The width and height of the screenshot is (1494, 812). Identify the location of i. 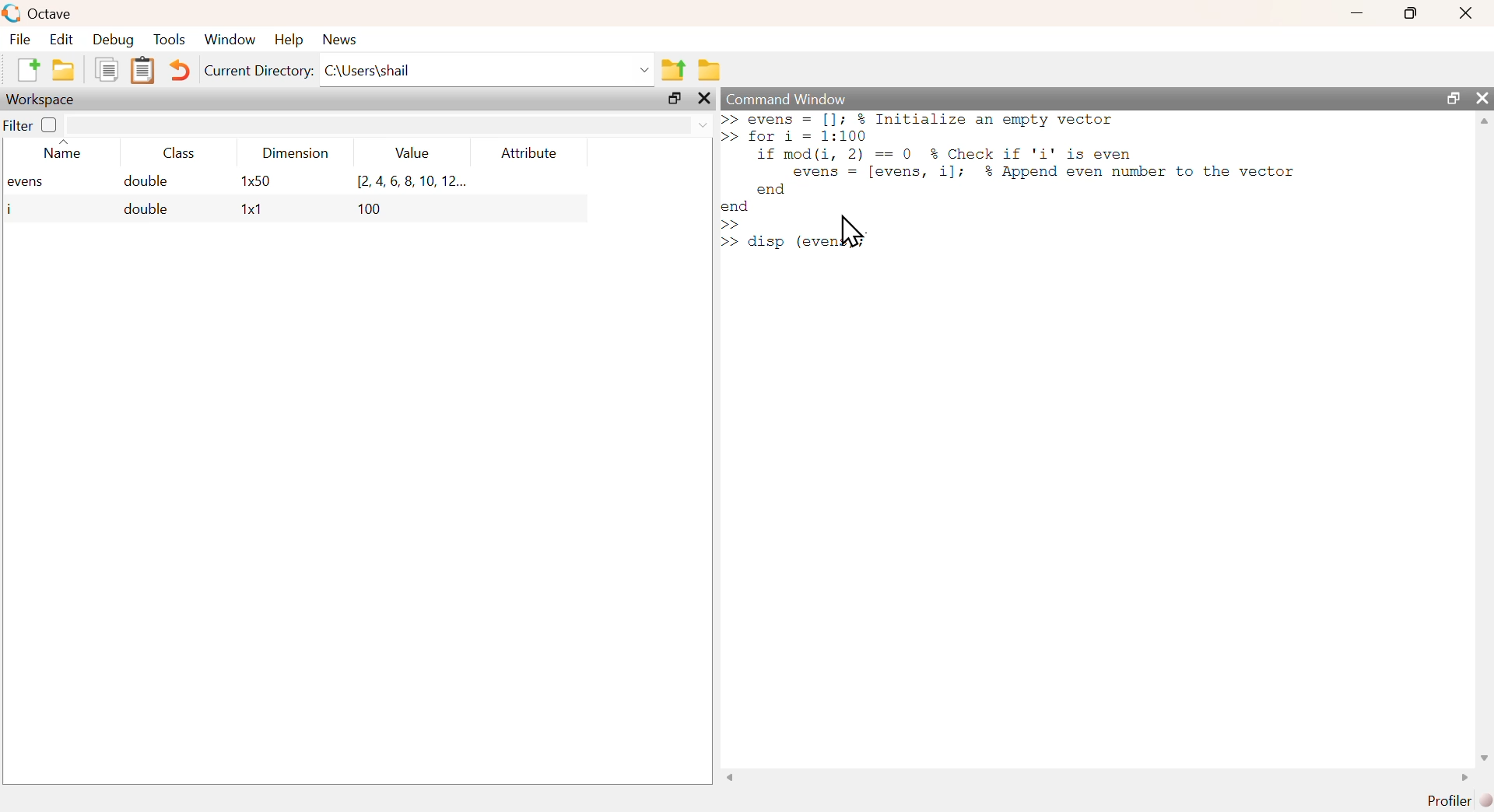
(12, 209).